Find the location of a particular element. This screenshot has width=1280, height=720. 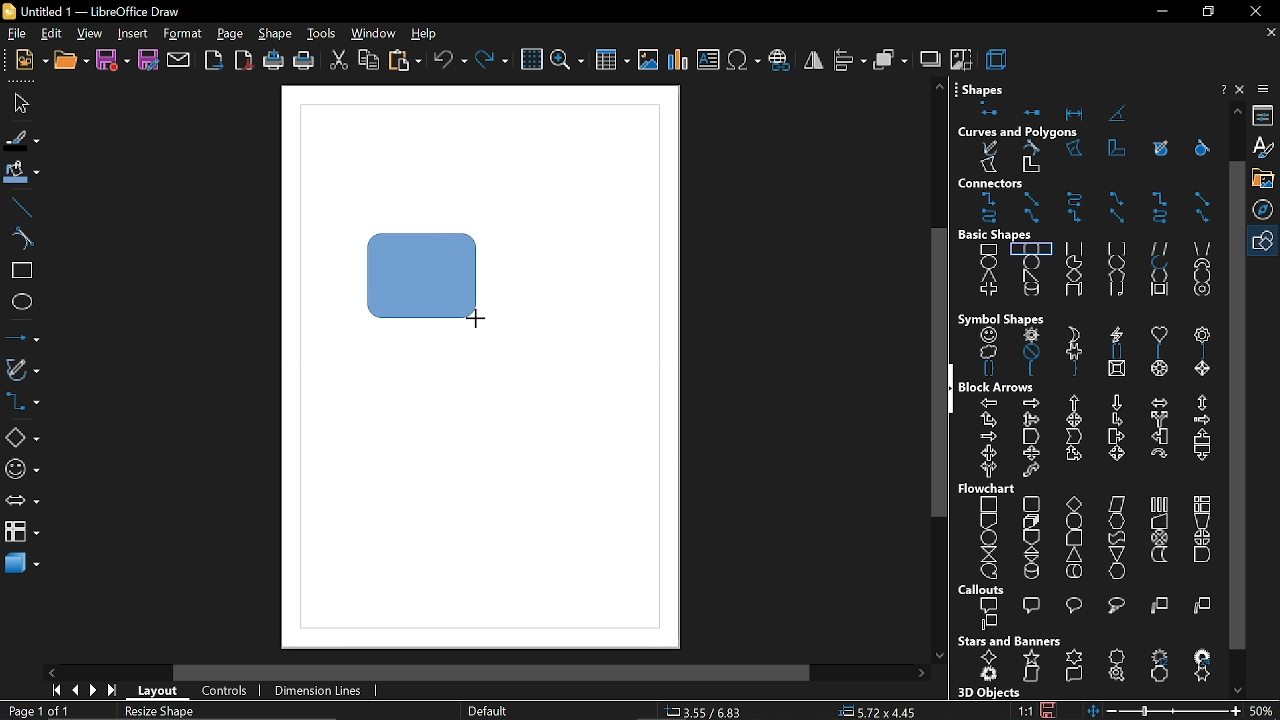

block arrows is located at coordinates (1090, 438).